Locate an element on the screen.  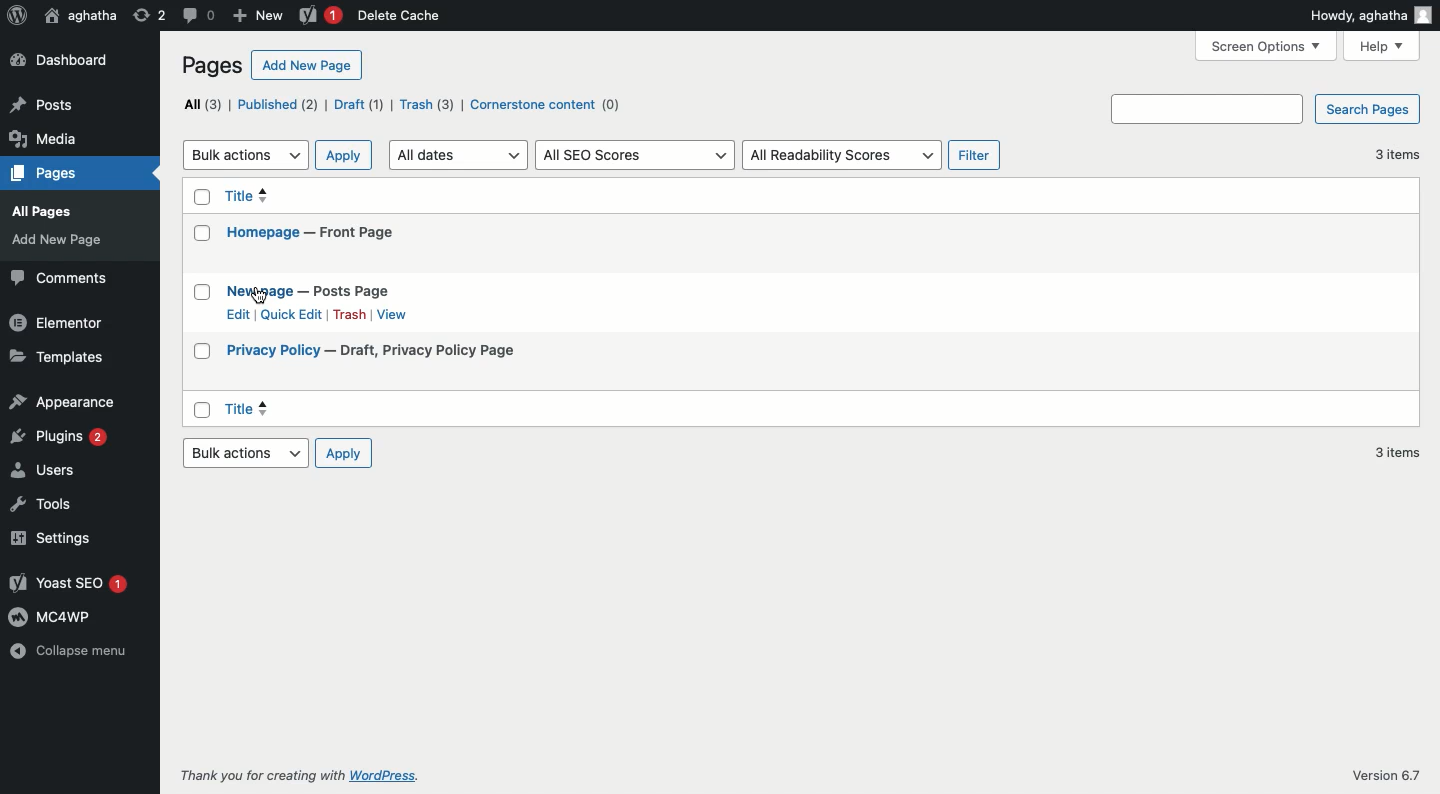
Media is located at coordinates (73, 210).